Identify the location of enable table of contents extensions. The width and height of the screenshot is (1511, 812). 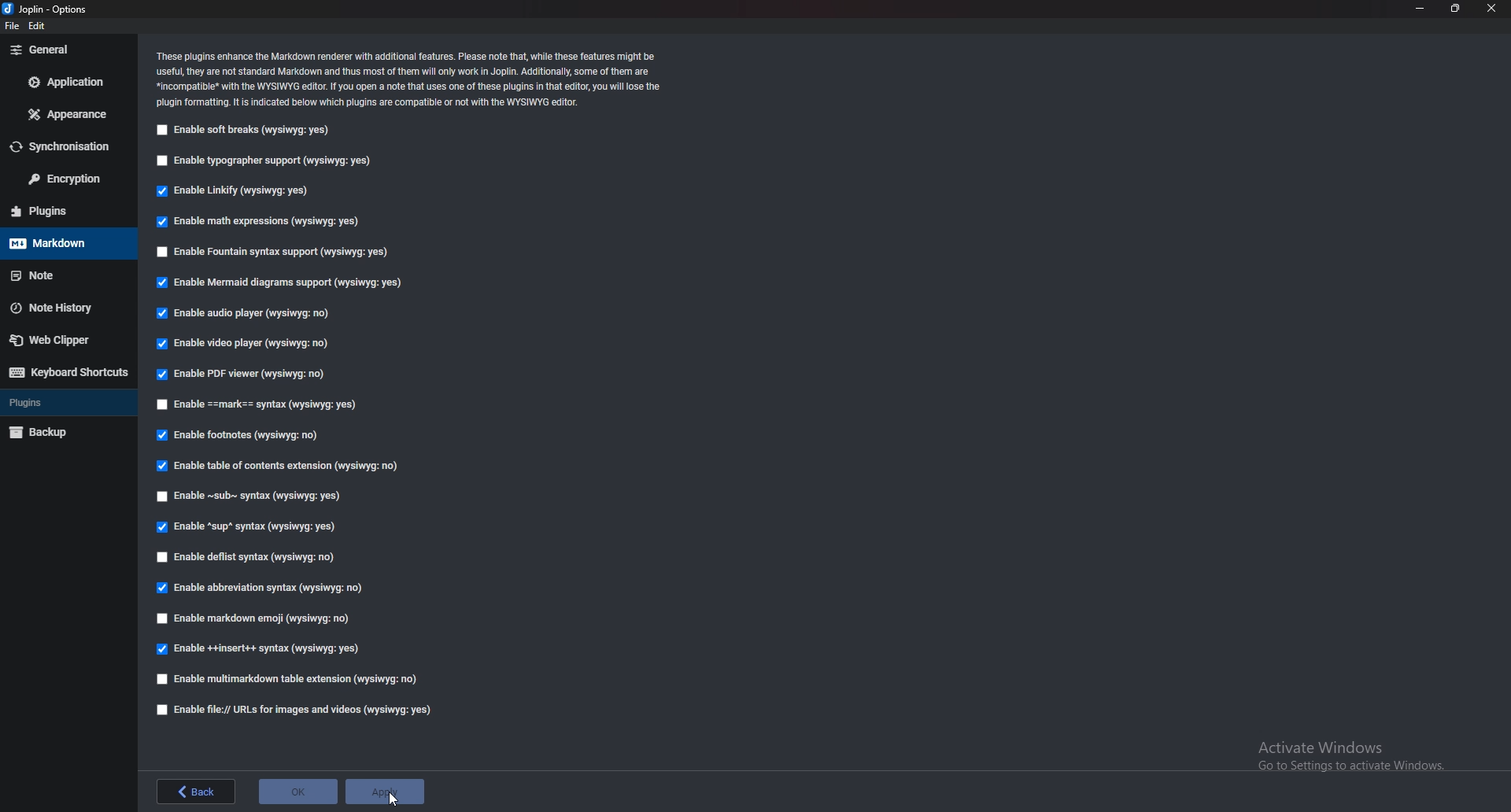
(277, 467).